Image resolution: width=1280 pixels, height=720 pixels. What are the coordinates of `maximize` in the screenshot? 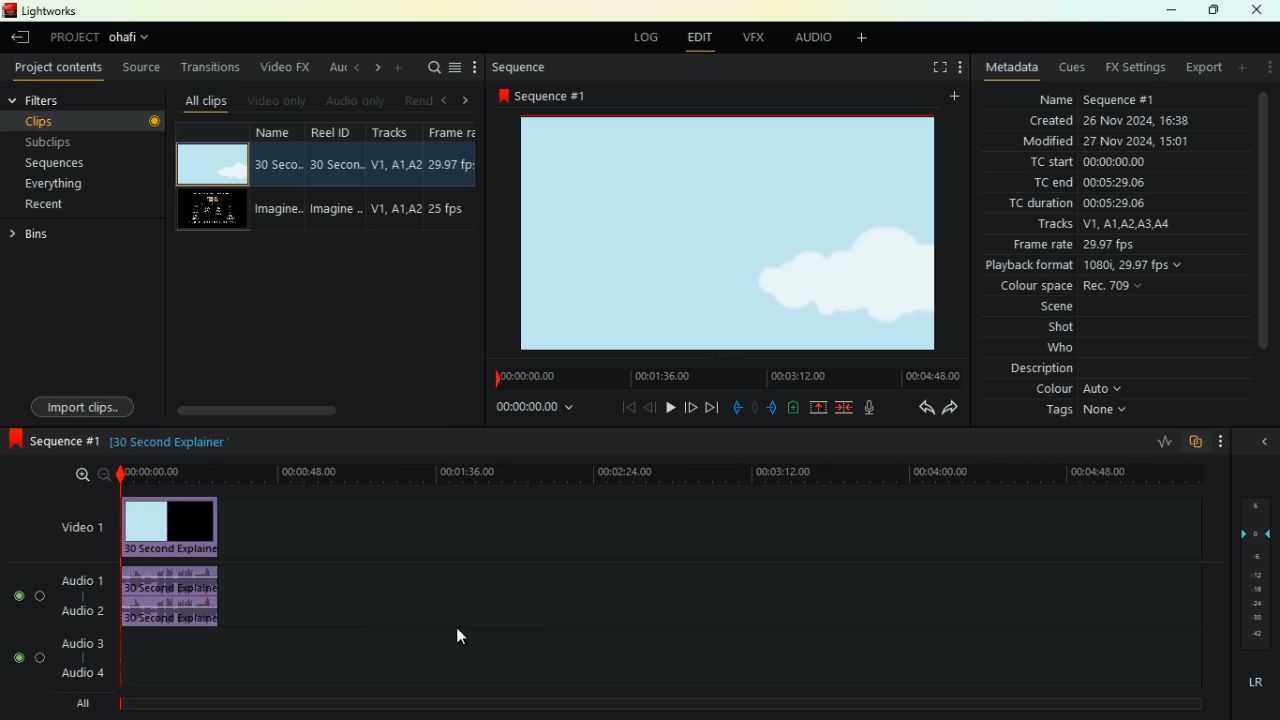 It's located at (1211, 11).